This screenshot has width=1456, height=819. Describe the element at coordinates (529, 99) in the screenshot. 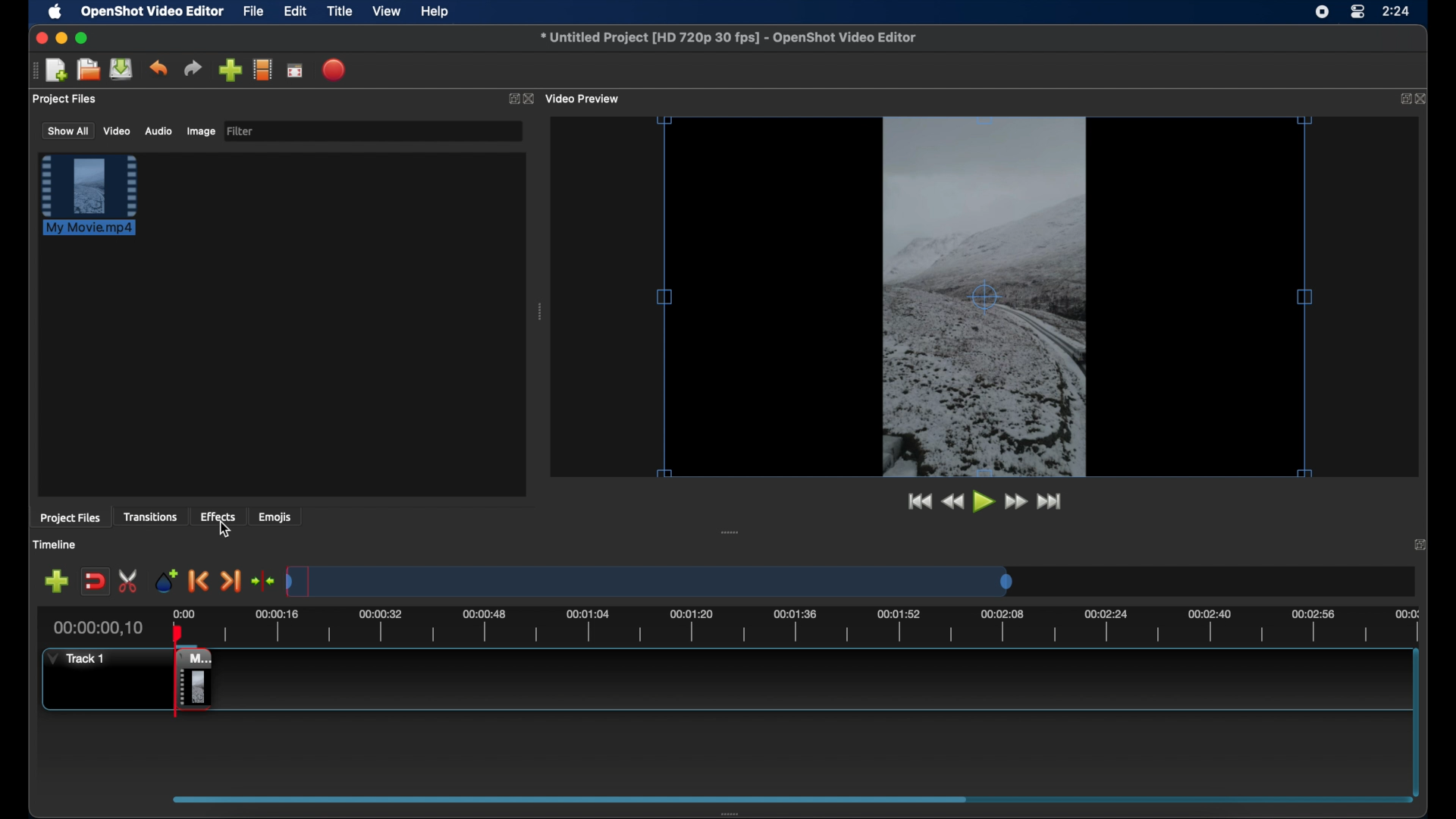

I see `close` at that location.